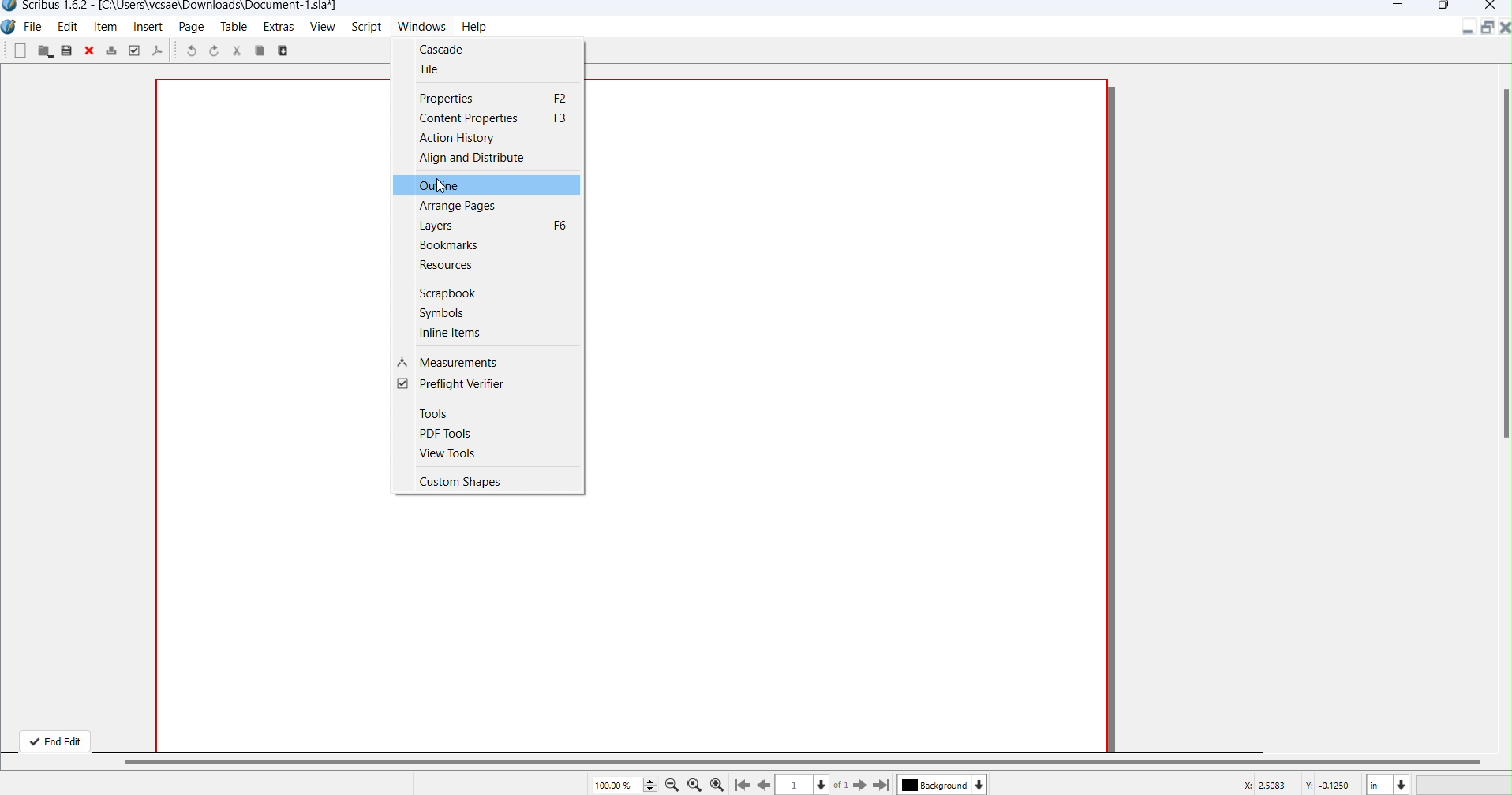 The image size is (1512, 795). What do you see at coordinates (492, 226) in the screenshot?
I see `Layers` at bounding box center [492, 226].